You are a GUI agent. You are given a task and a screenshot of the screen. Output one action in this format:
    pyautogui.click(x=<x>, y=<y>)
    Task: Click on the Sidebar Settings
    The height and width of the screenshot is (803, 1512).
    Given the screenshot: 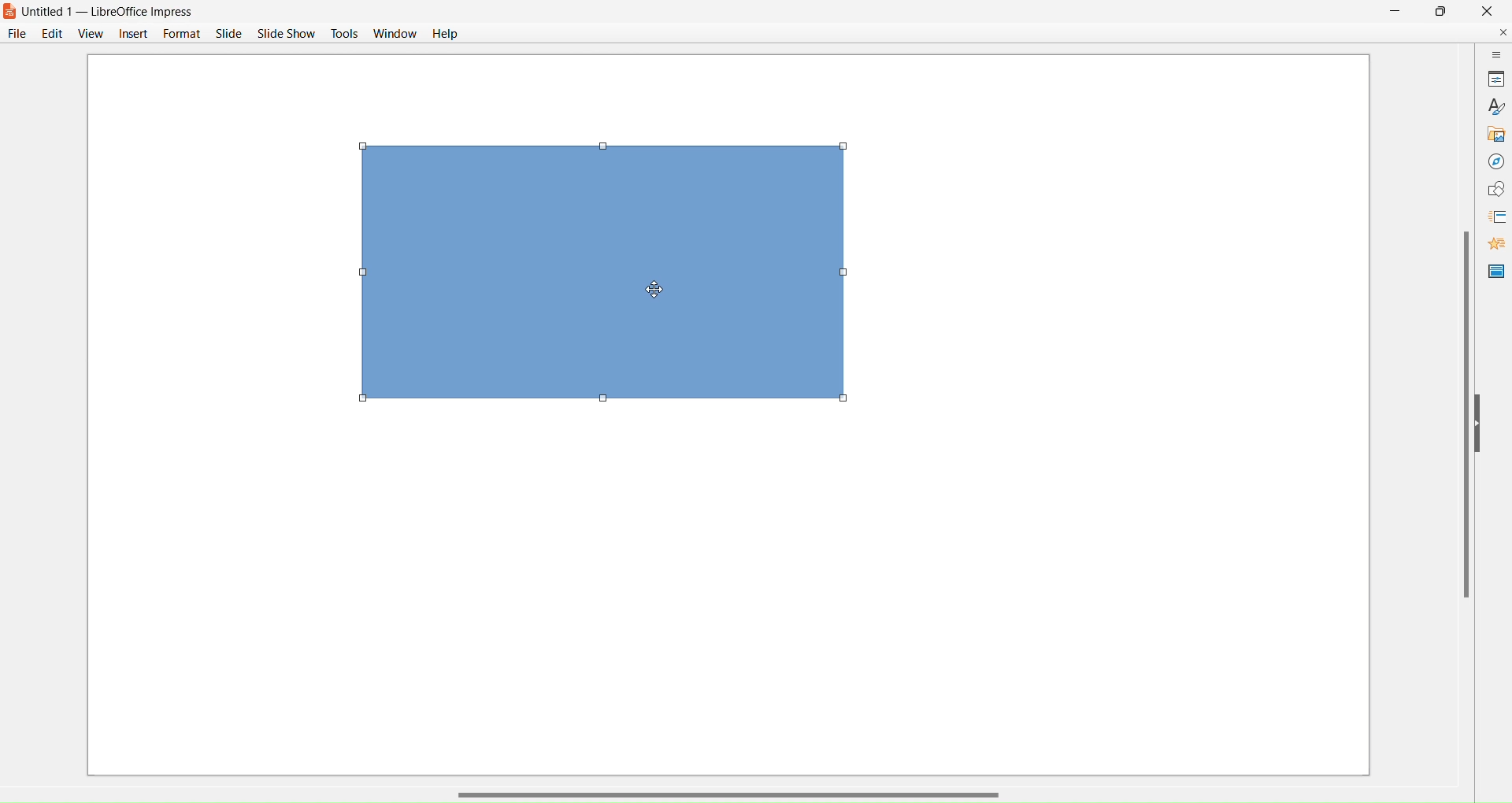 What is the action you would take?
    pyautogui.click(x=1494, y=55)
    